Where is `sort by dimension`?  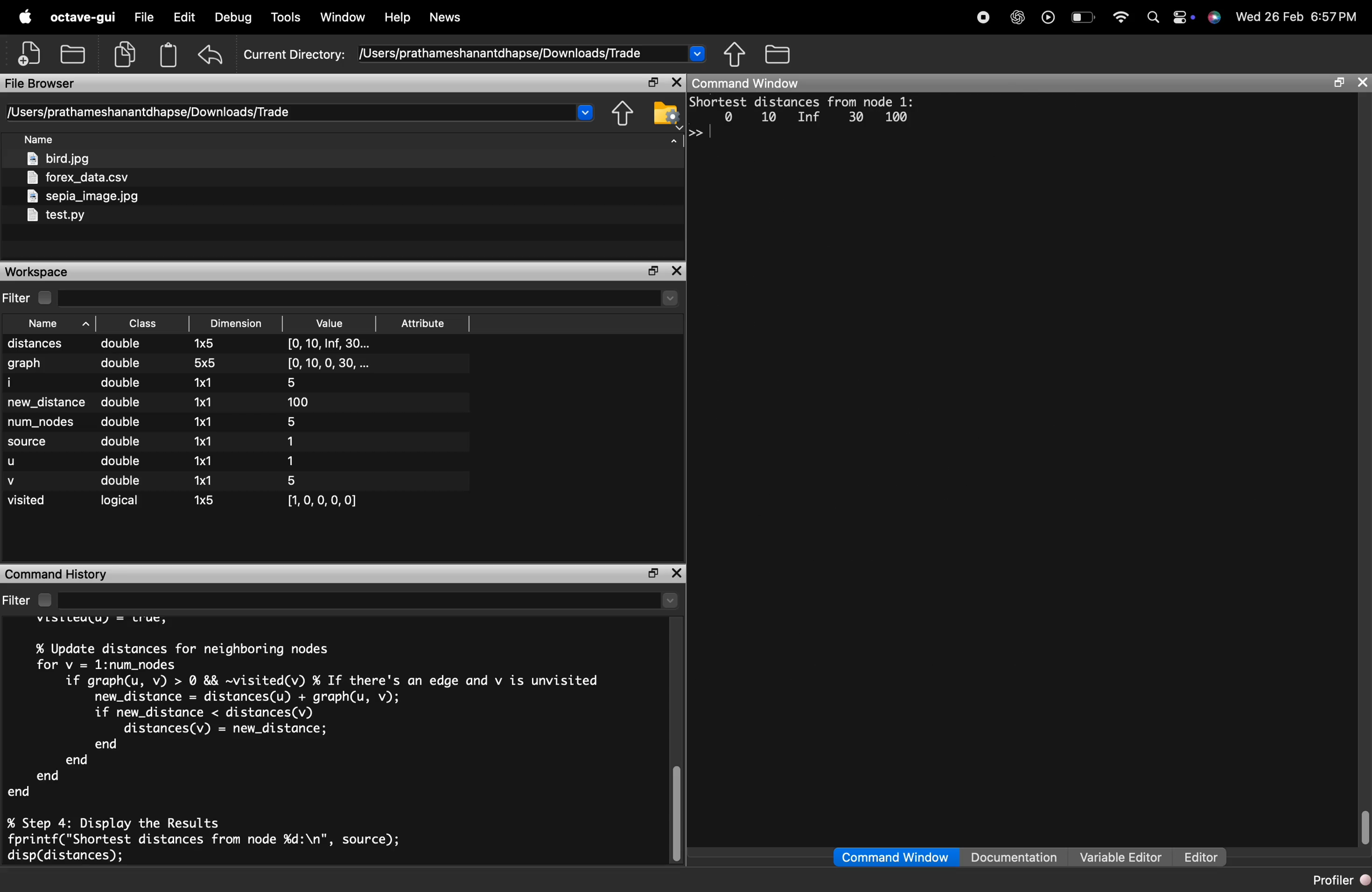 sort by dimension is located at coordinates (236, 324).